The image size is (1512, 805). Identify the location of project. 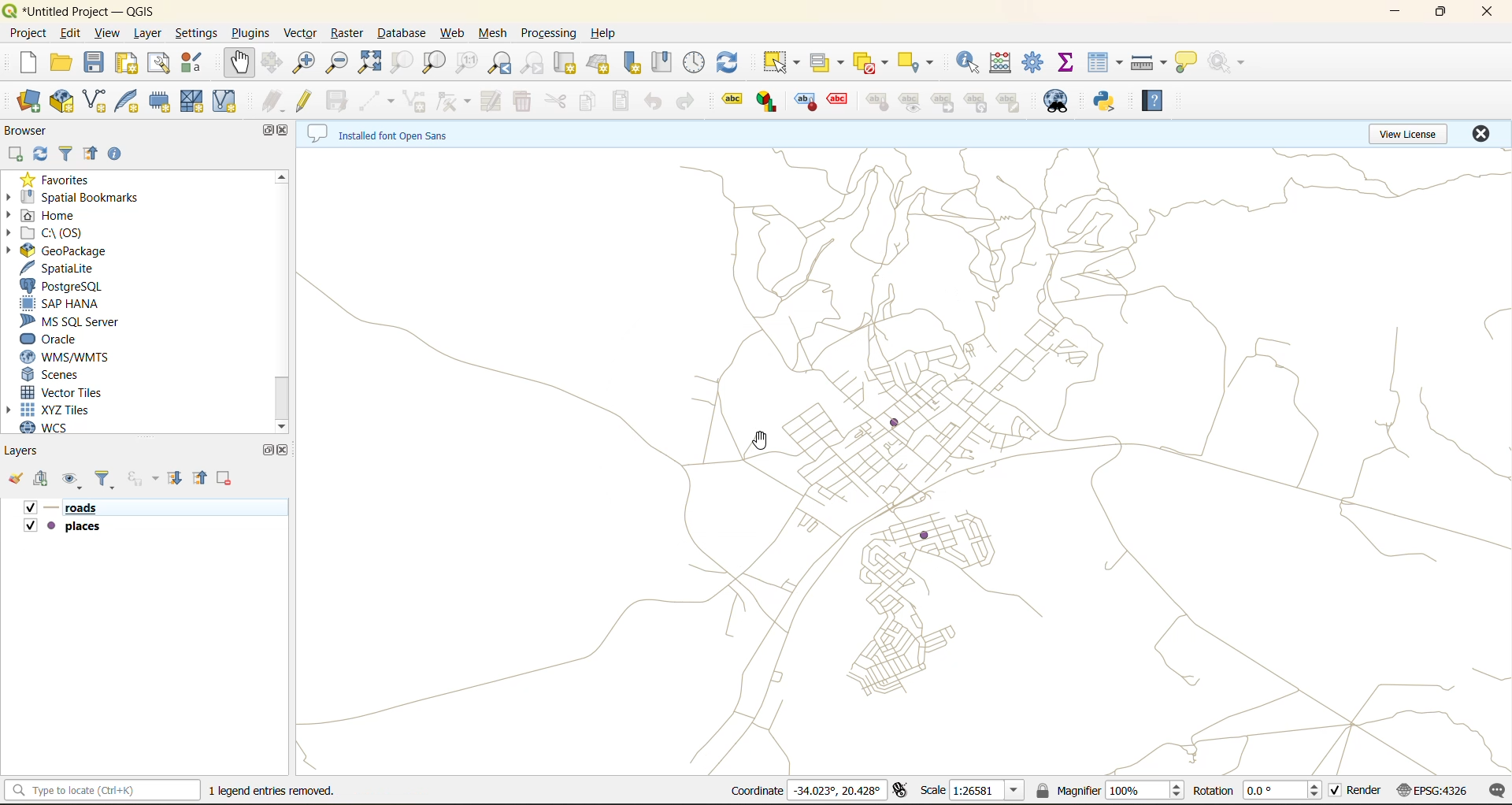
(27, 33).